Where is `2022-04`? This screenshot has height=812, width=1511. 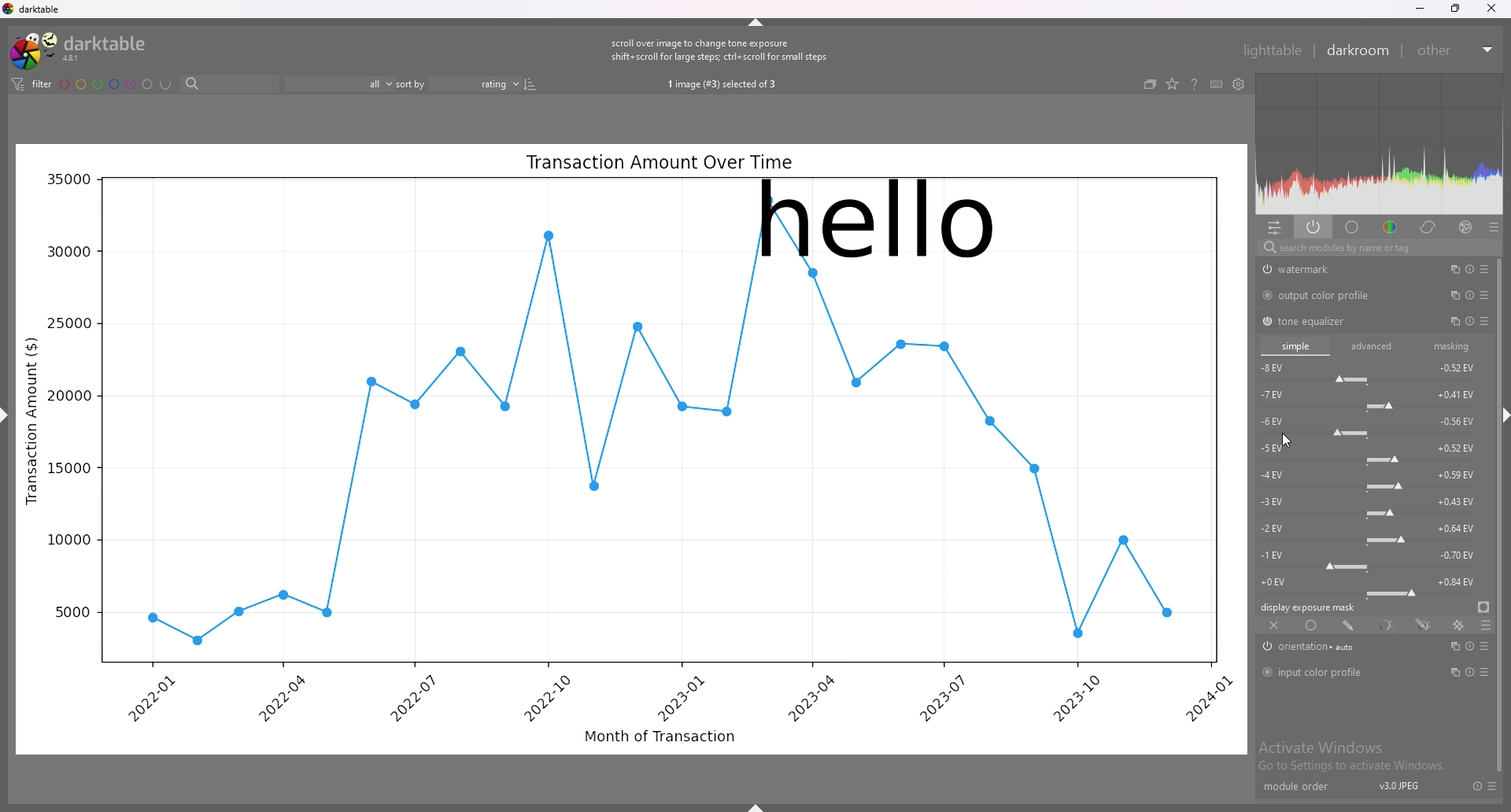 2022-04 is located at coordinates (281, 698).